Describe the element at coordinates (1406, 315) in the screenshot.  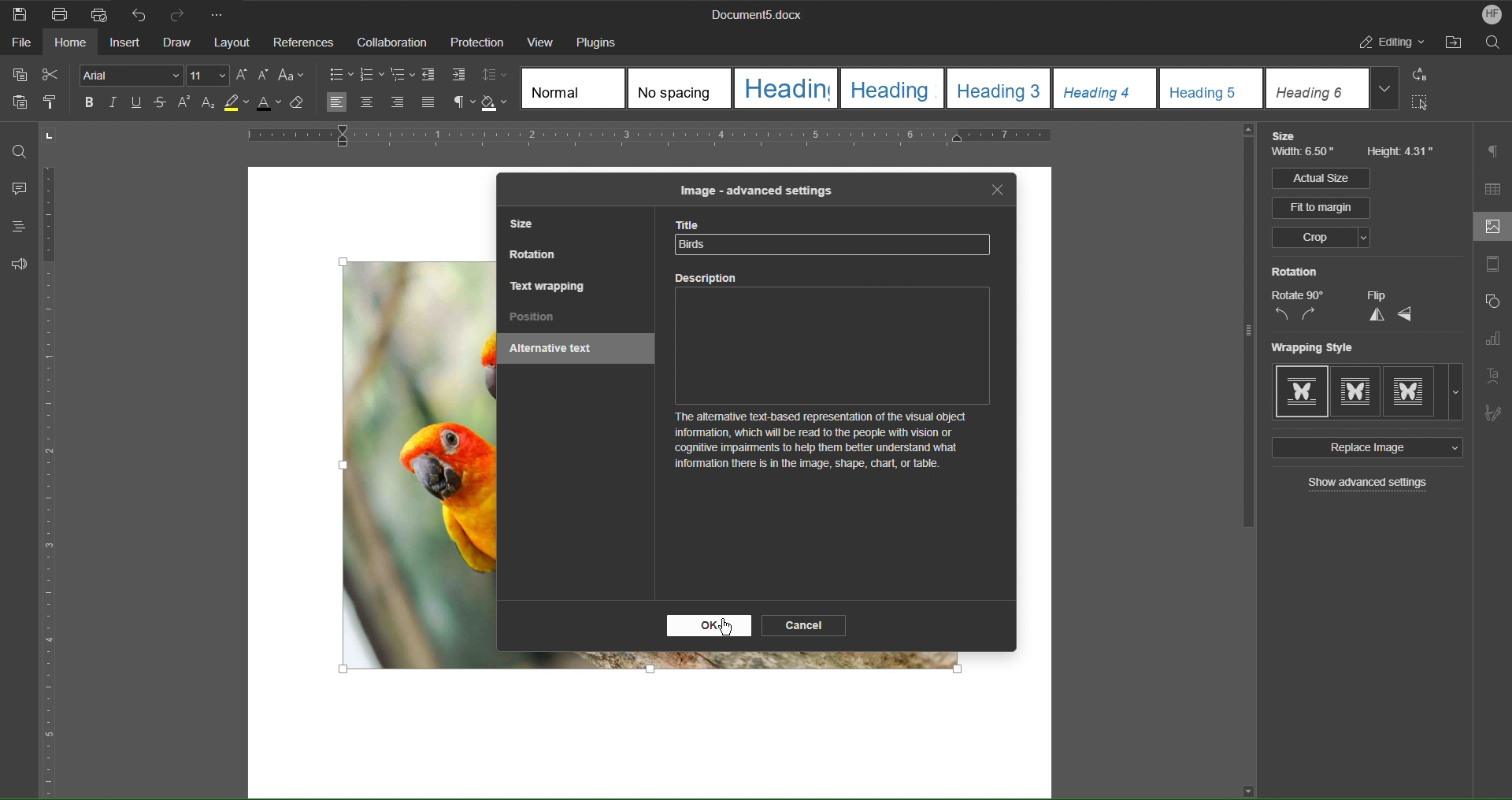
I see `Horizontal Flip` at that location.